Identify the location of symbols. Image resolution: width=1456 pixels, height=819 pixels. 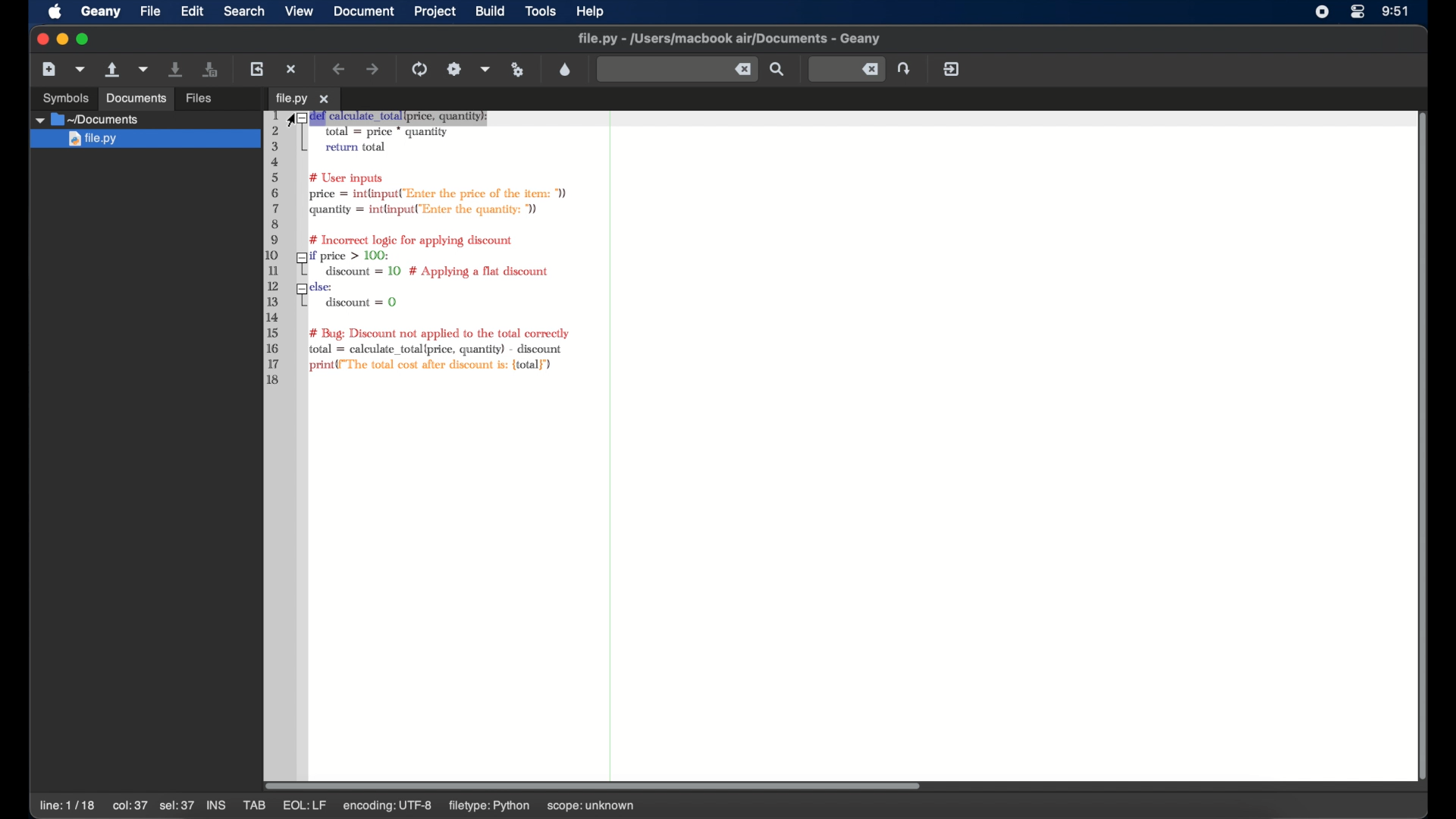
(65, 99).